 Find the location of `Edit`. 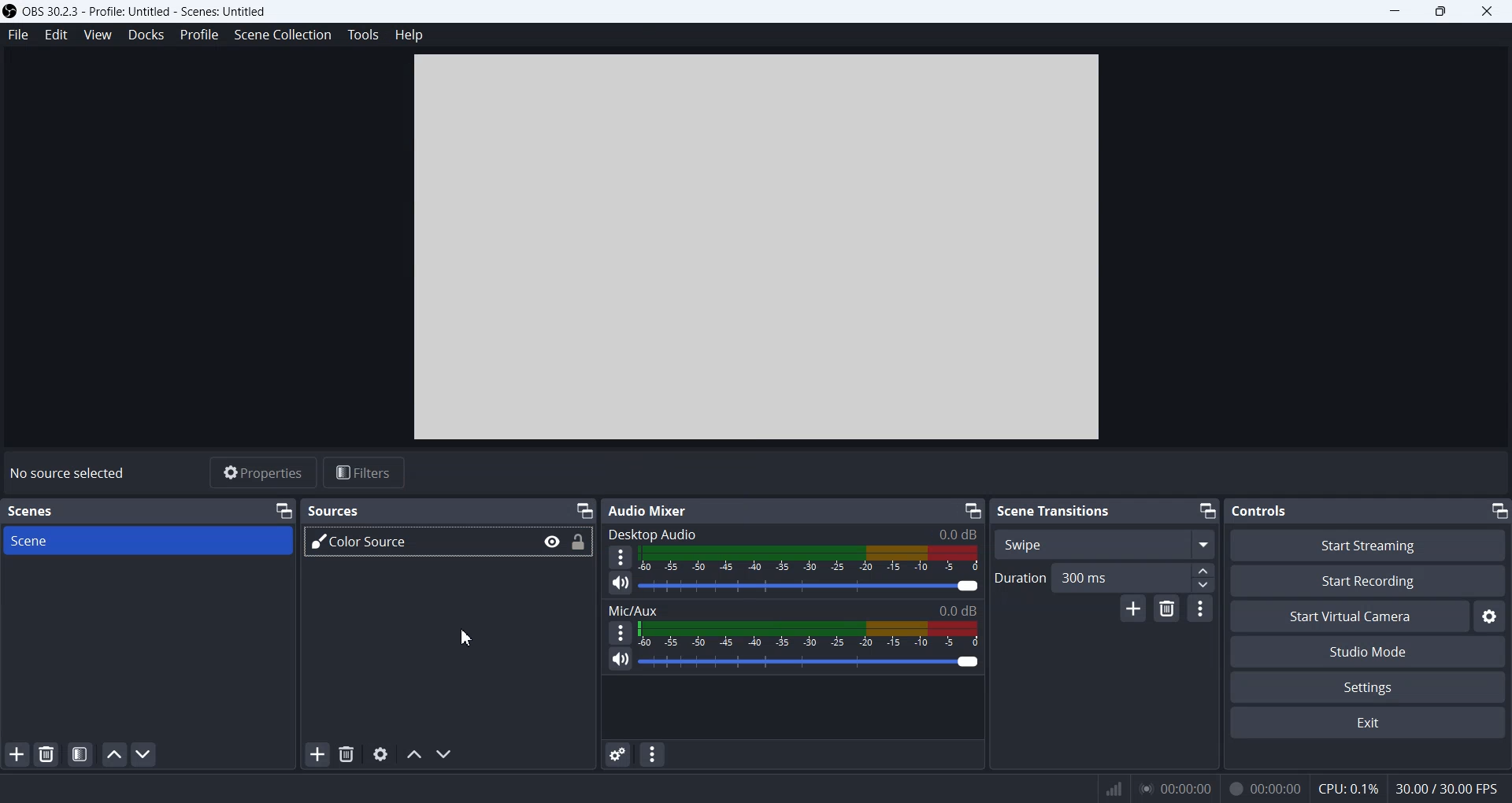

Edit is located at coordinates (56, 34).